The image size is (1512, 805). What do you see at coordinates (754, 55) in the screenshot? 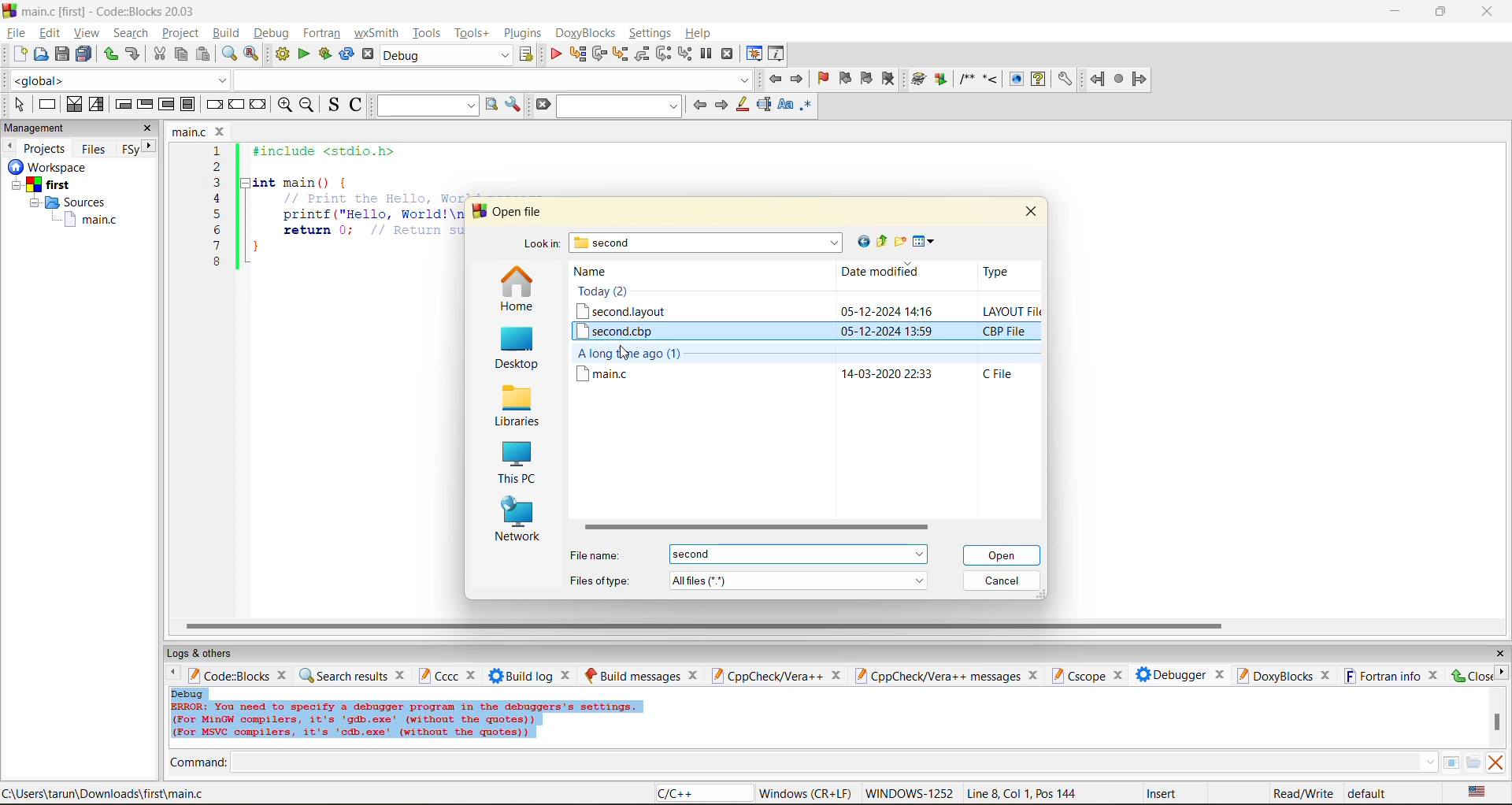
I see `debugging windows` at bounding box center [754, 55].